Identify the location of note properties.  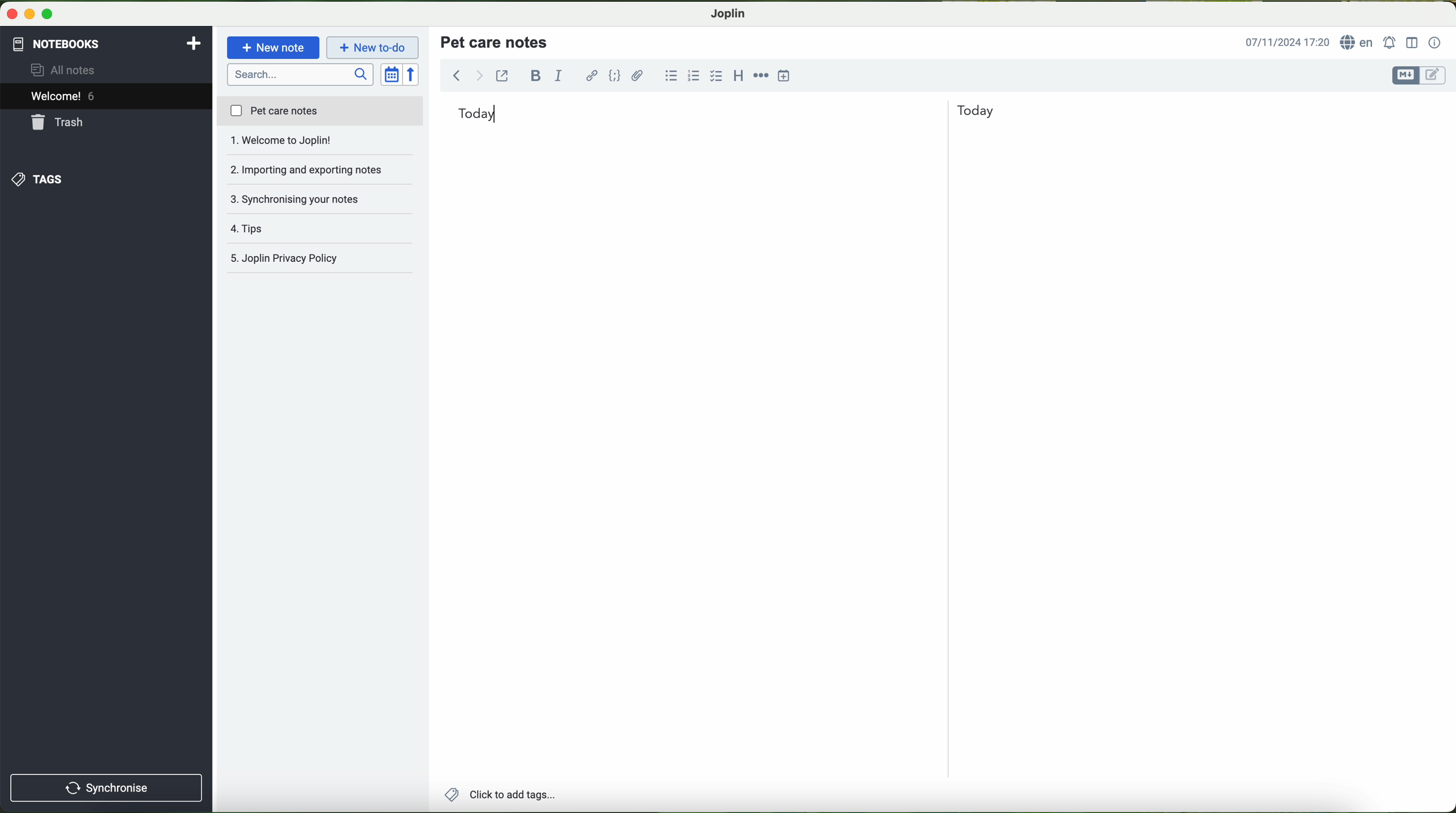
(1435, 43).